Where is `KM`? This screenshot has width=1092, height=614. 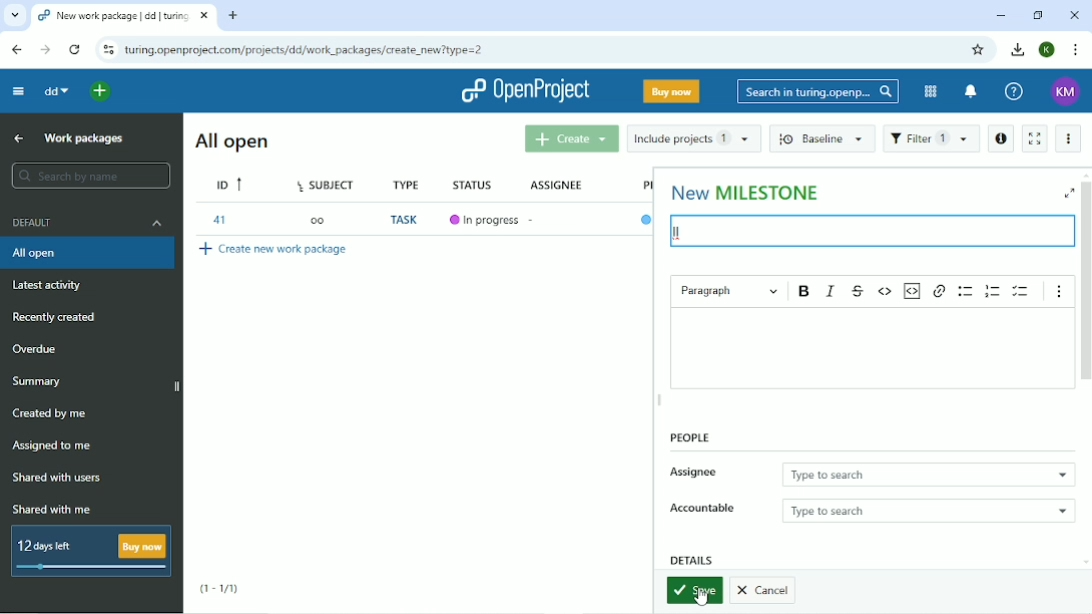
KM is located at coordinates (1065, 92).